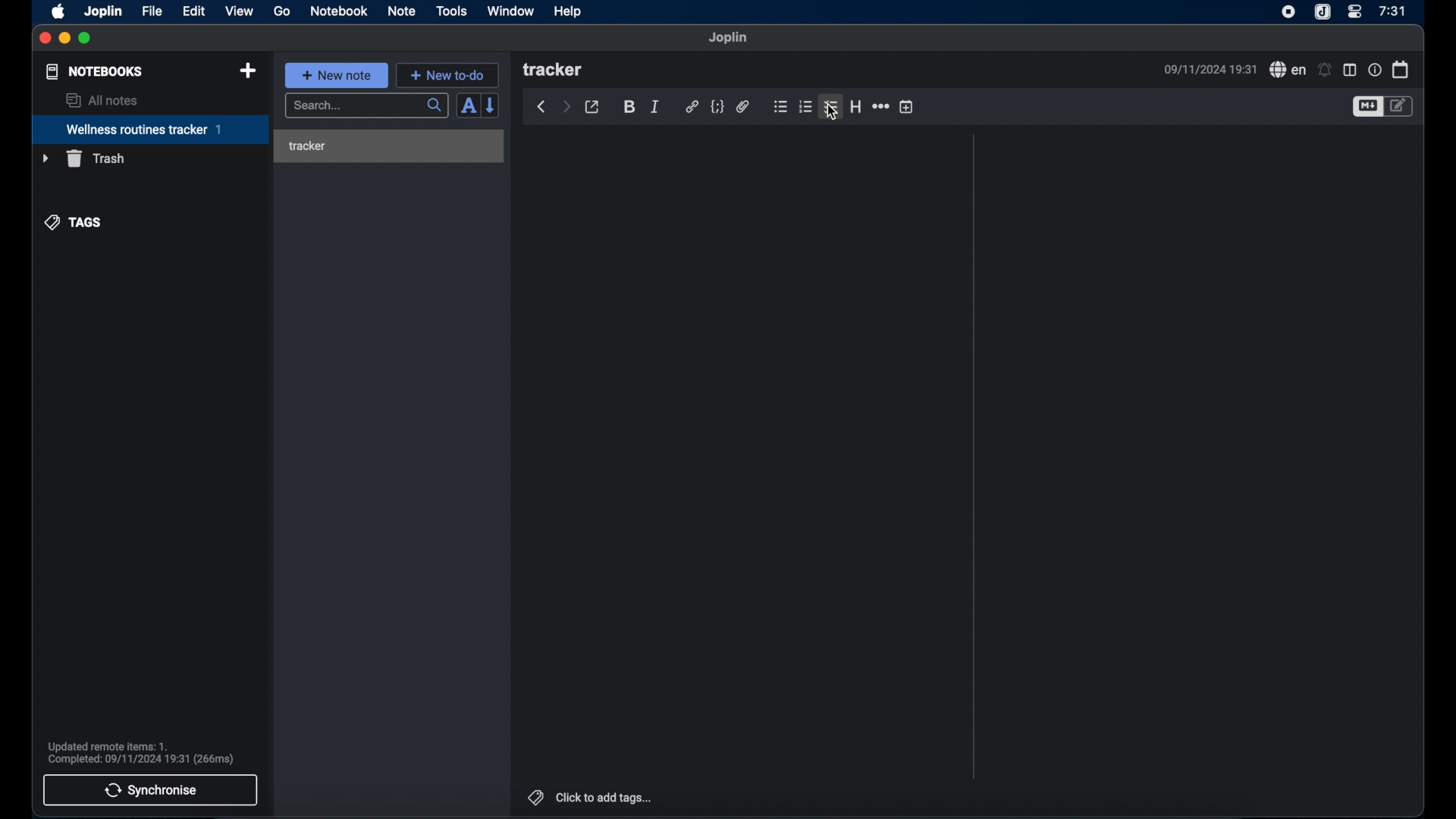 This screenshot has height=819, width=1456. Describe the element at coordinates (692, 107) in the screenshot. I see `hyperlink` at that location.